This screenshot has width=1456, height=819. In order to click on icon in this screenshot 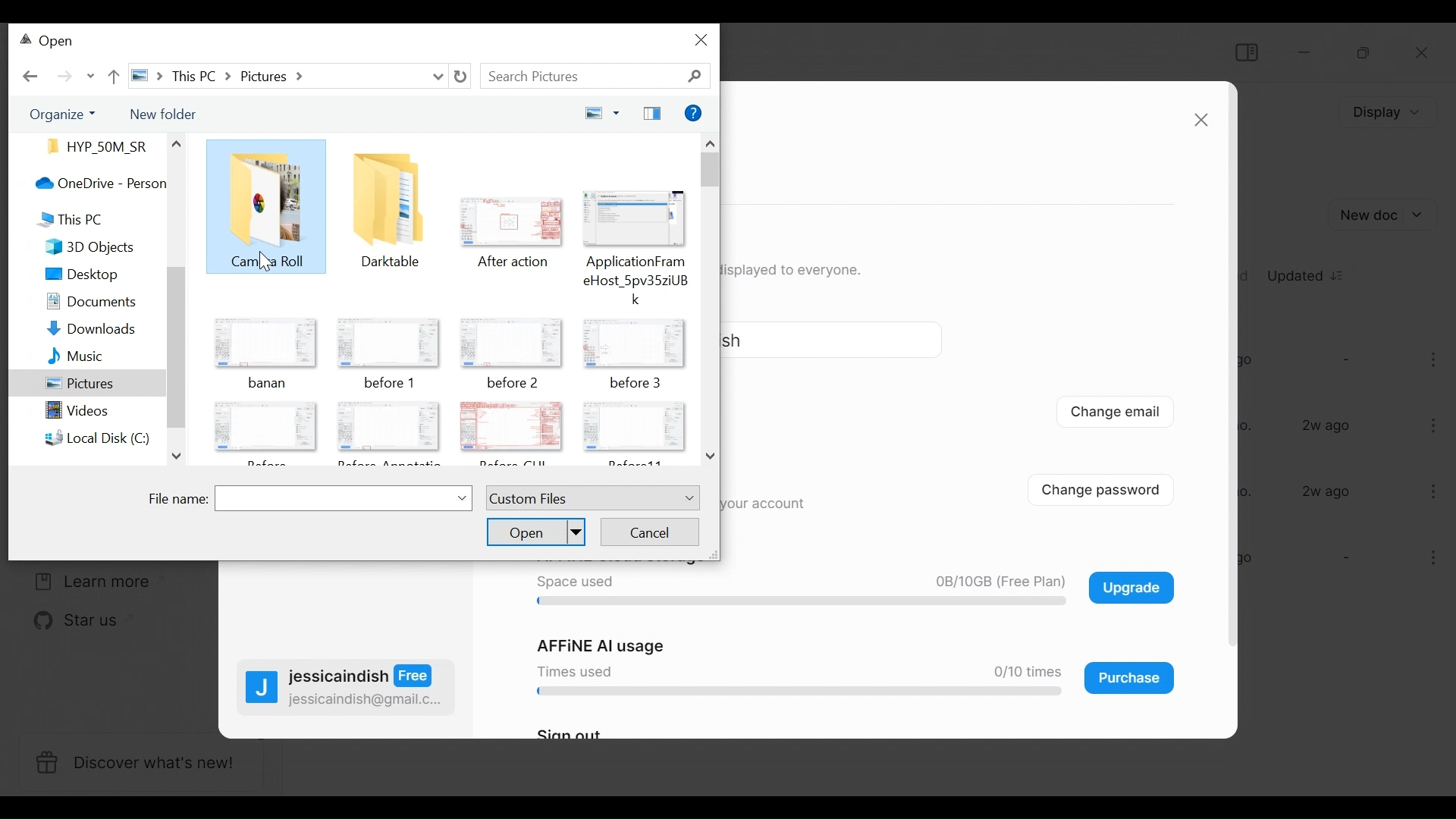, I will do `click(636, 428)`.